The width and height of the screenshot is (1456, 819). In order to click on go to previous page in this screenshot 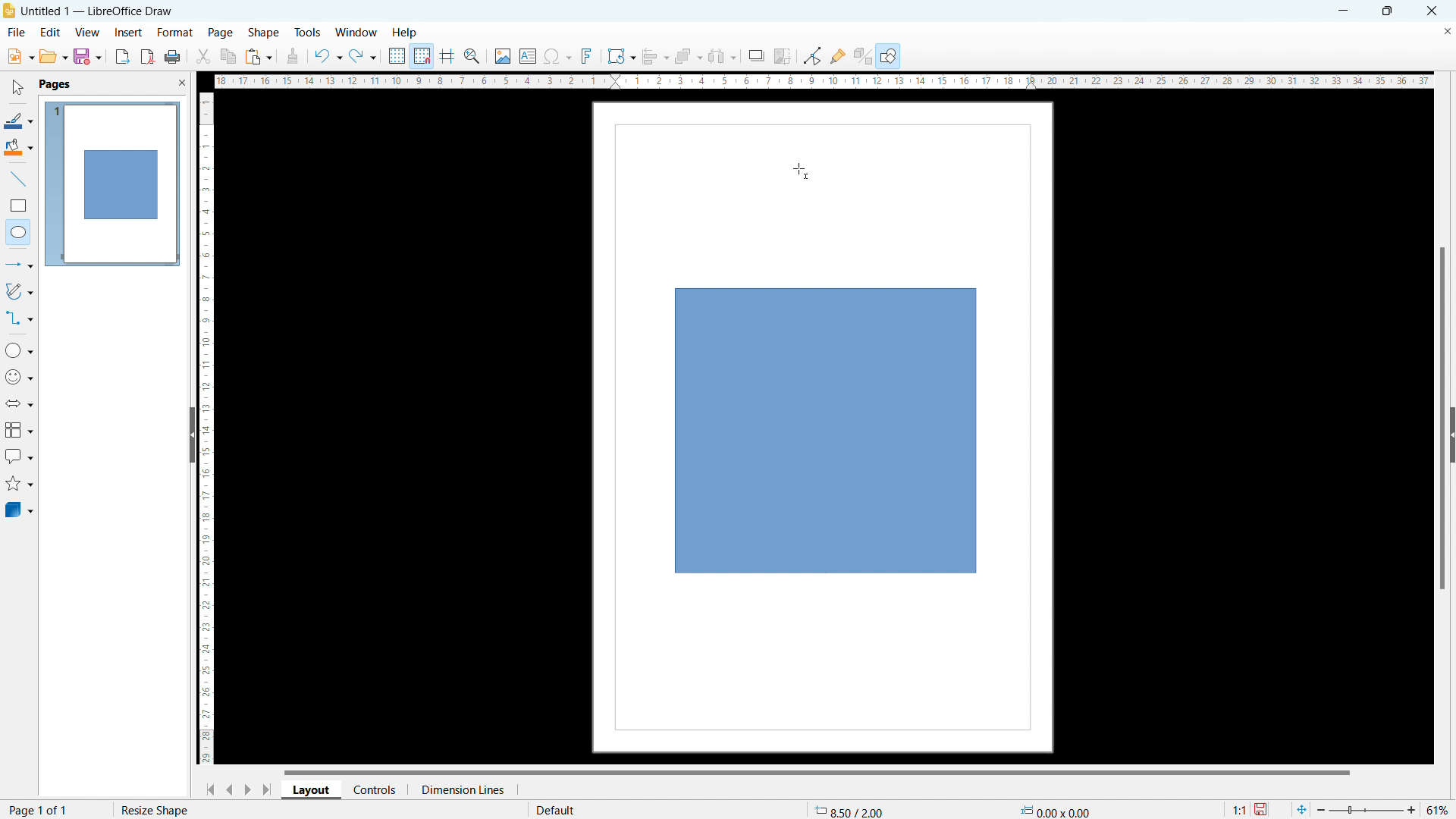, I will do `click(230, 787)`.